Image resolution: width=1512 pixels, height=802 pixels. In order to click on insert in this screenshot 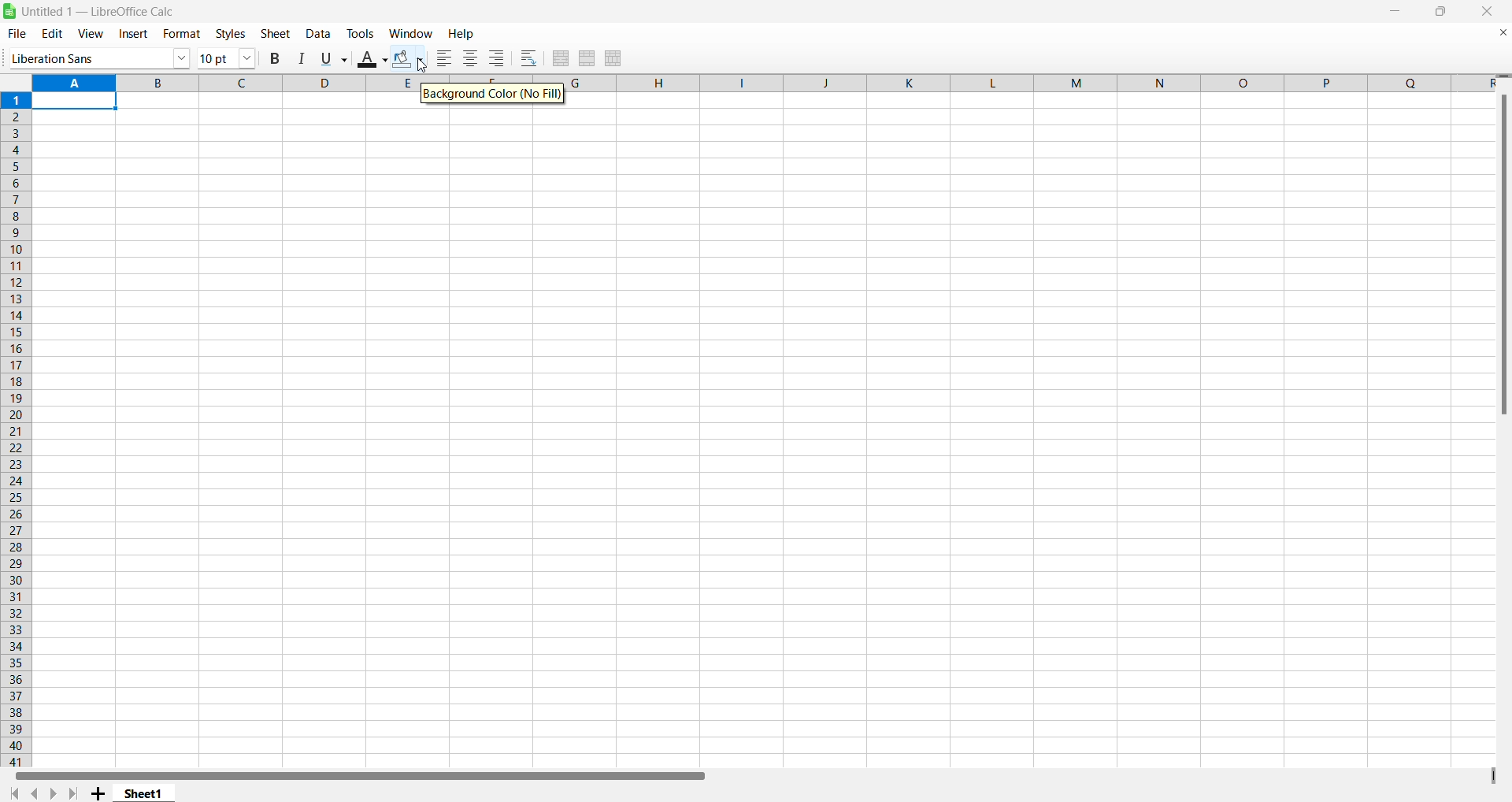, I will do `click(132, 35)`.